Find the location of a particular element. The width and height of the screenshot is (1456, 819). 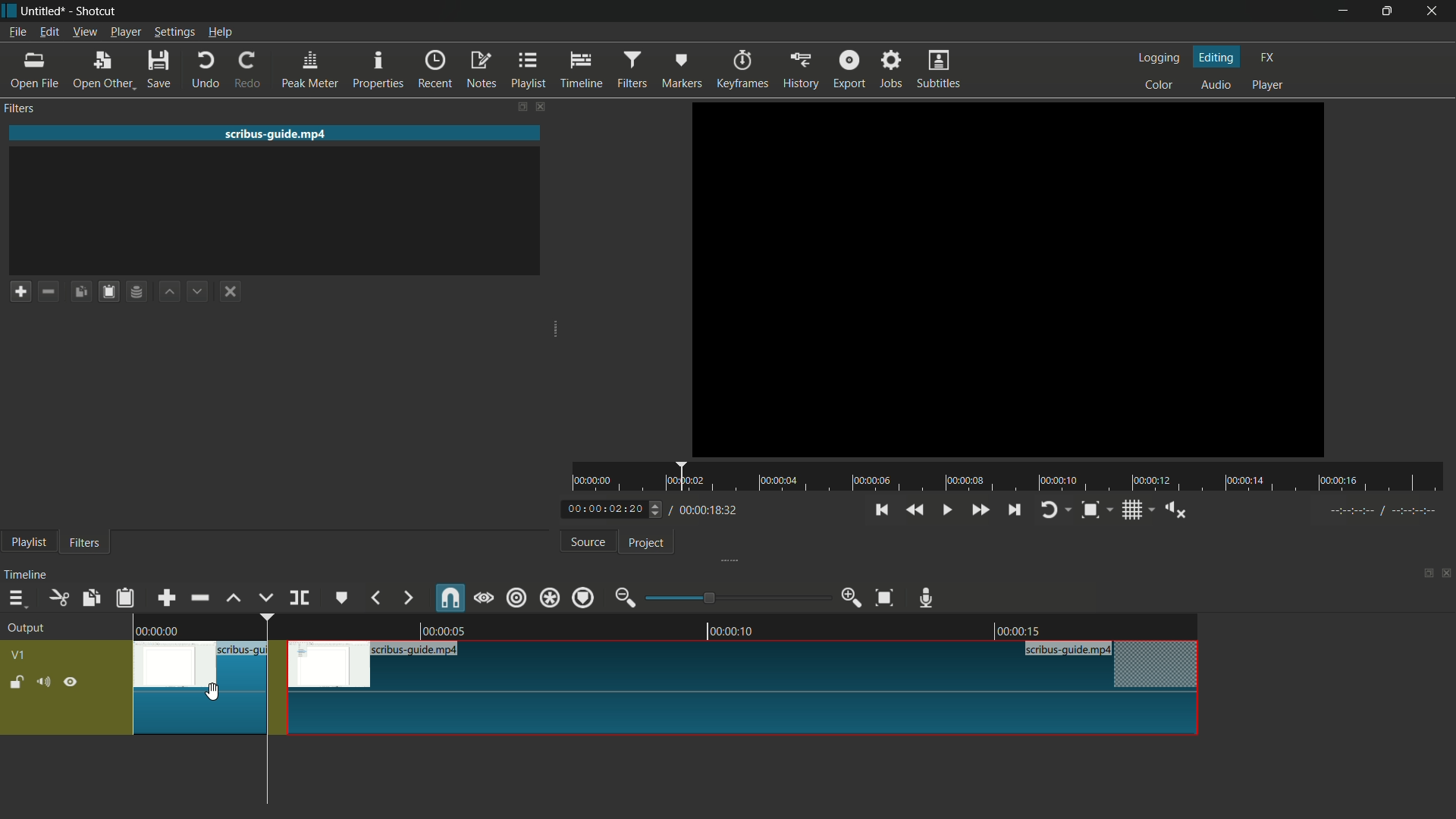

notes is located at coordinates (483, 70).